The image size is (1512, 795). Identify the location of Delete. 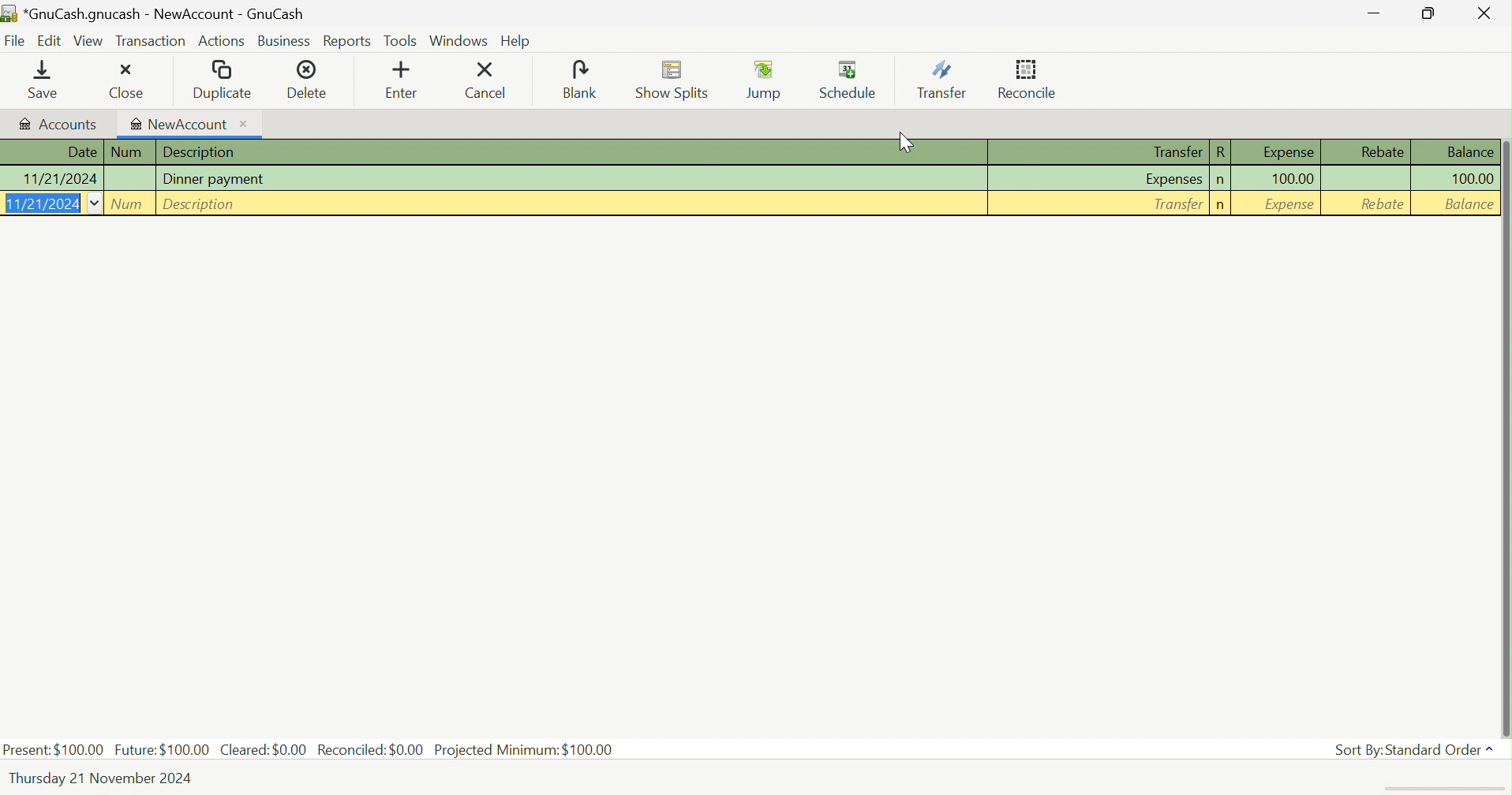
(314, 78).